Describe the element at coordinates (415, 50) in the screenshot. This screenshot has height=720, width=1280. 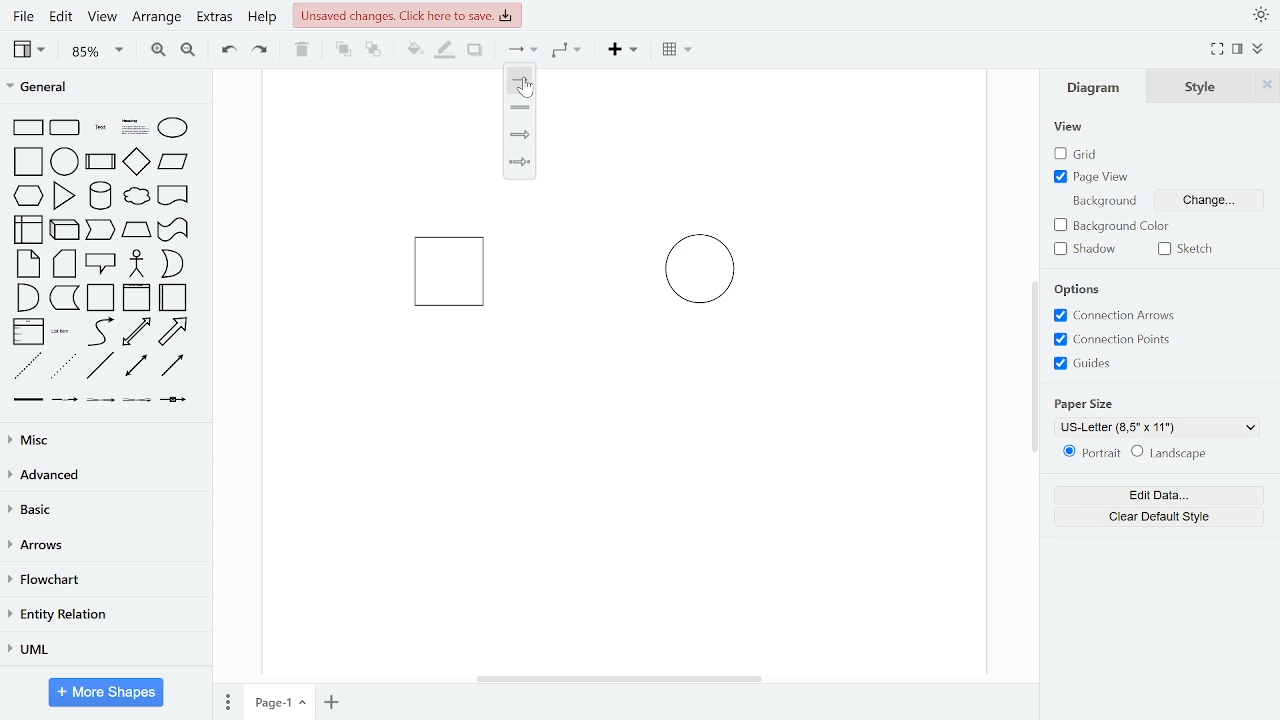
I see `fill color` at that location.